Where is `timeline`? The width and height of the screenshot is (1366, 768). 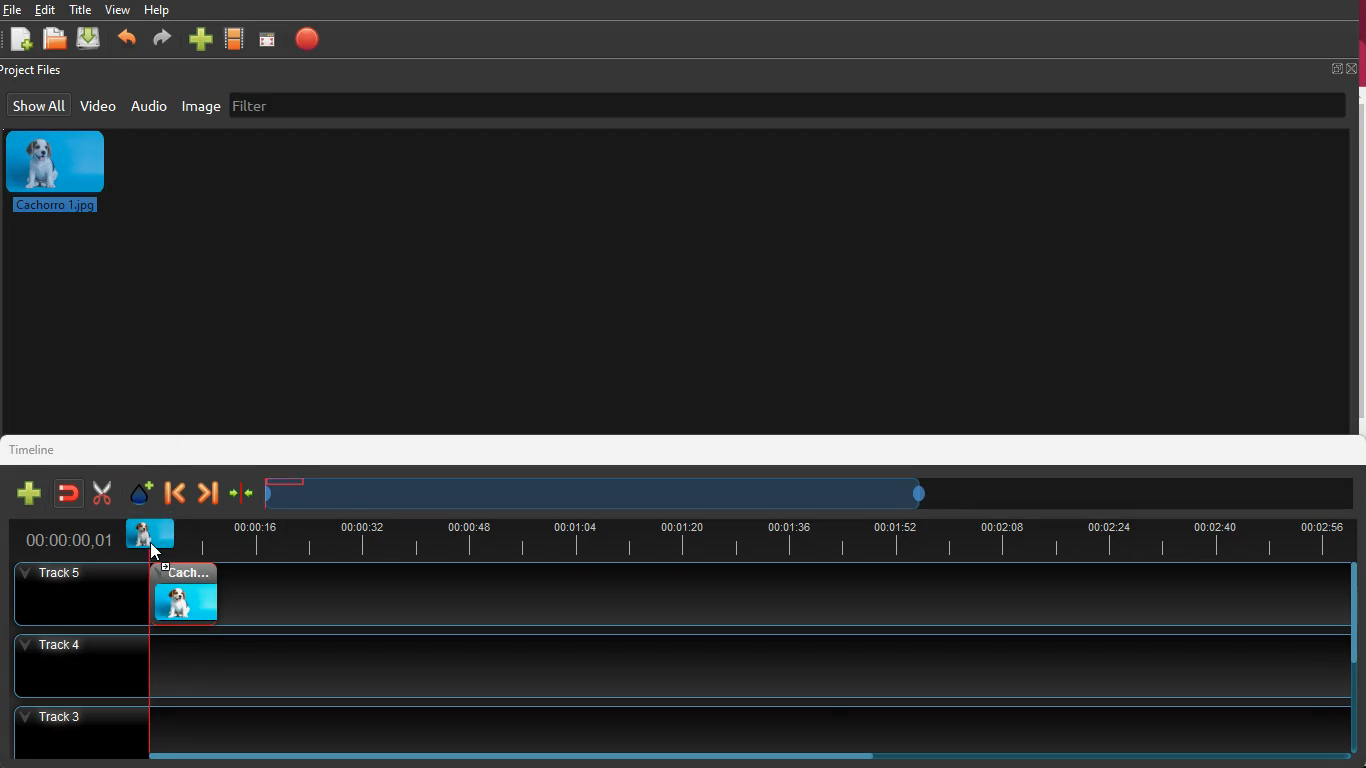 timeline is located at coordinates (38, 451).